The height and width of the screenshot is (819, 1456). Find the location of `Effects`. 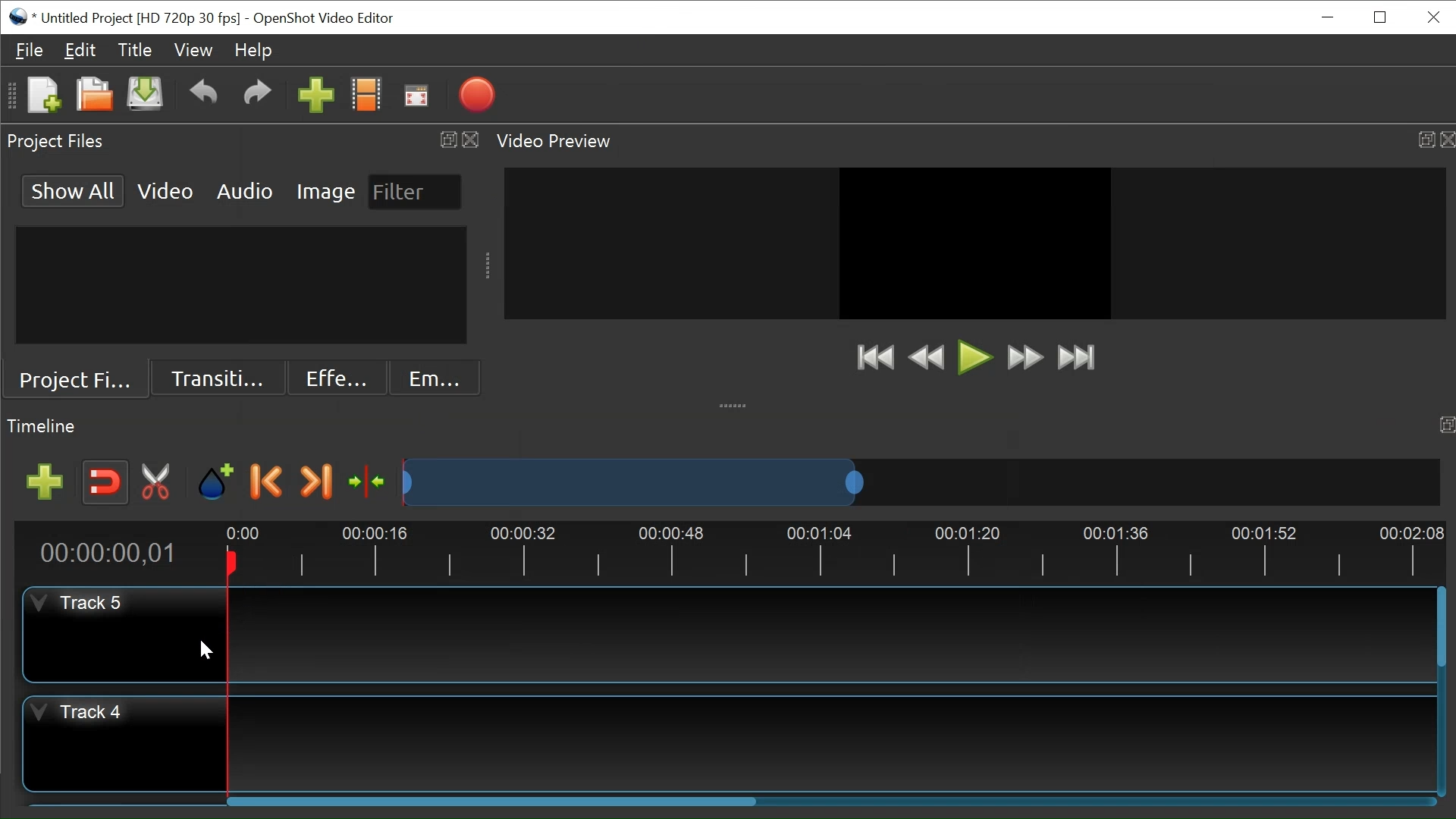

Effects is located at coordinates (334, 378).